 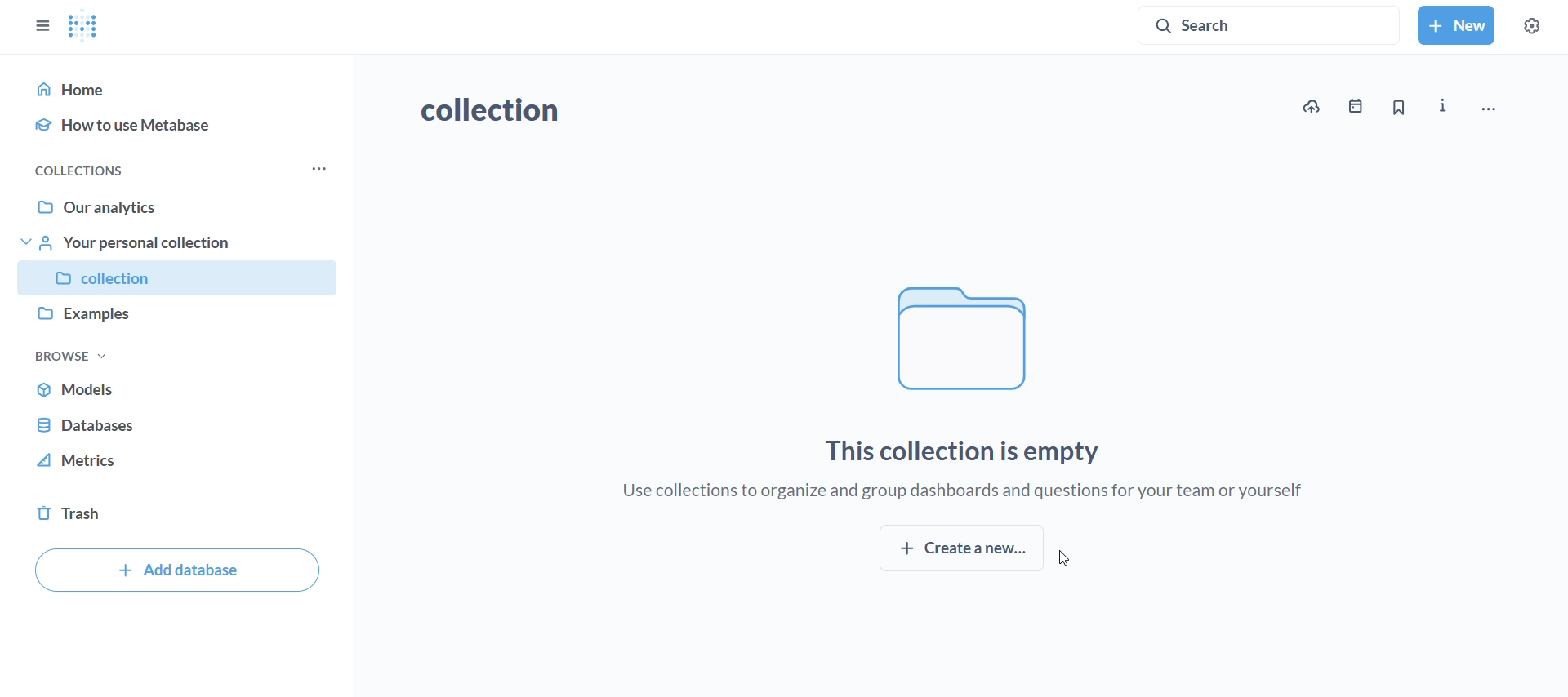 What do you see at coordinates (971, 490) in the screenshot?
I see `use collection to organize and group dashboards and questions for your team or yourself` at bounding box center [971, 490].